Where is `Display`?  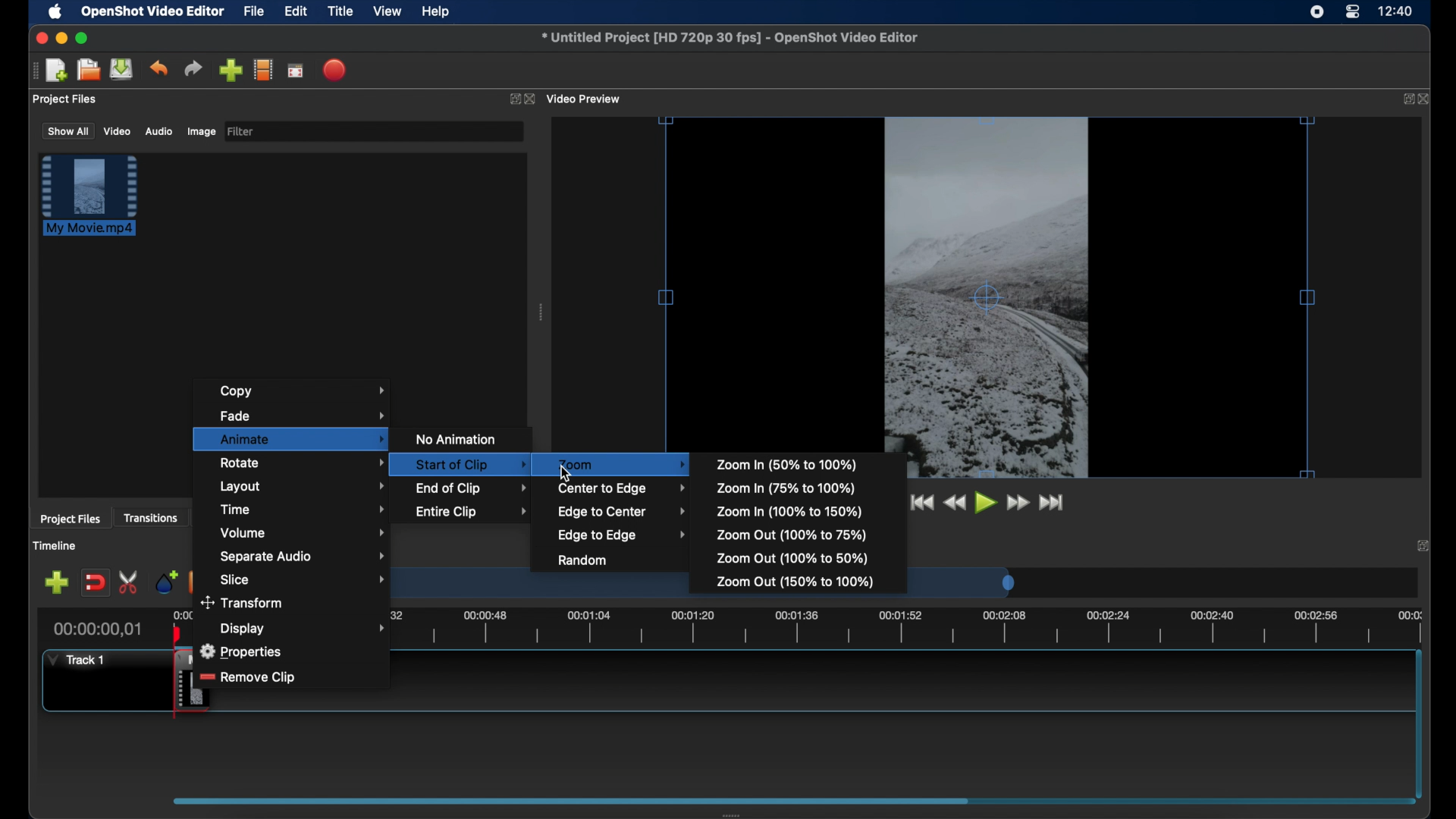 Display is located at coordinates (244, 628).